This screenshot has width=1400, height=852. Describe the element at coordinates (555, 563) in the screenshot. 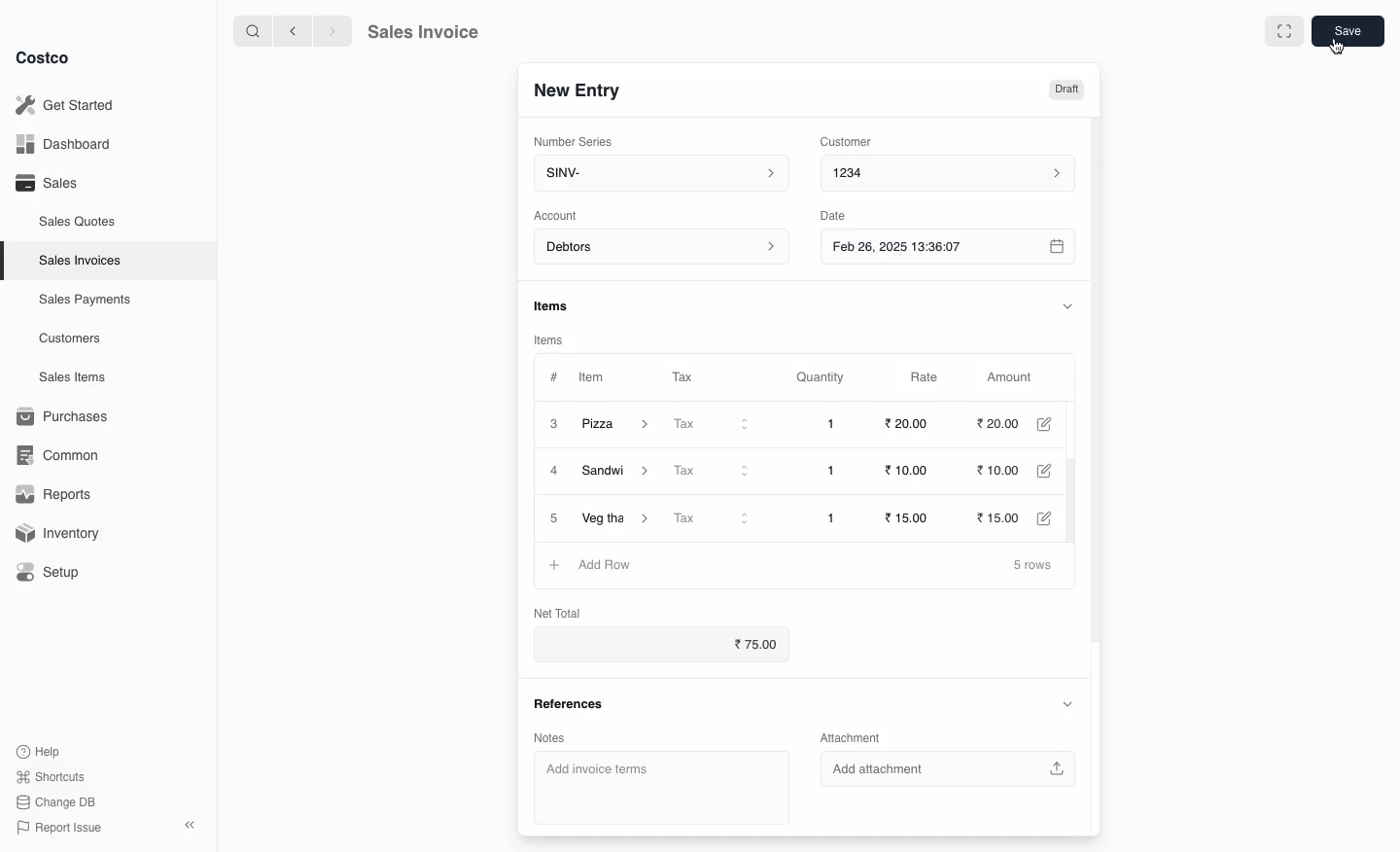

I see `Add` at that location.